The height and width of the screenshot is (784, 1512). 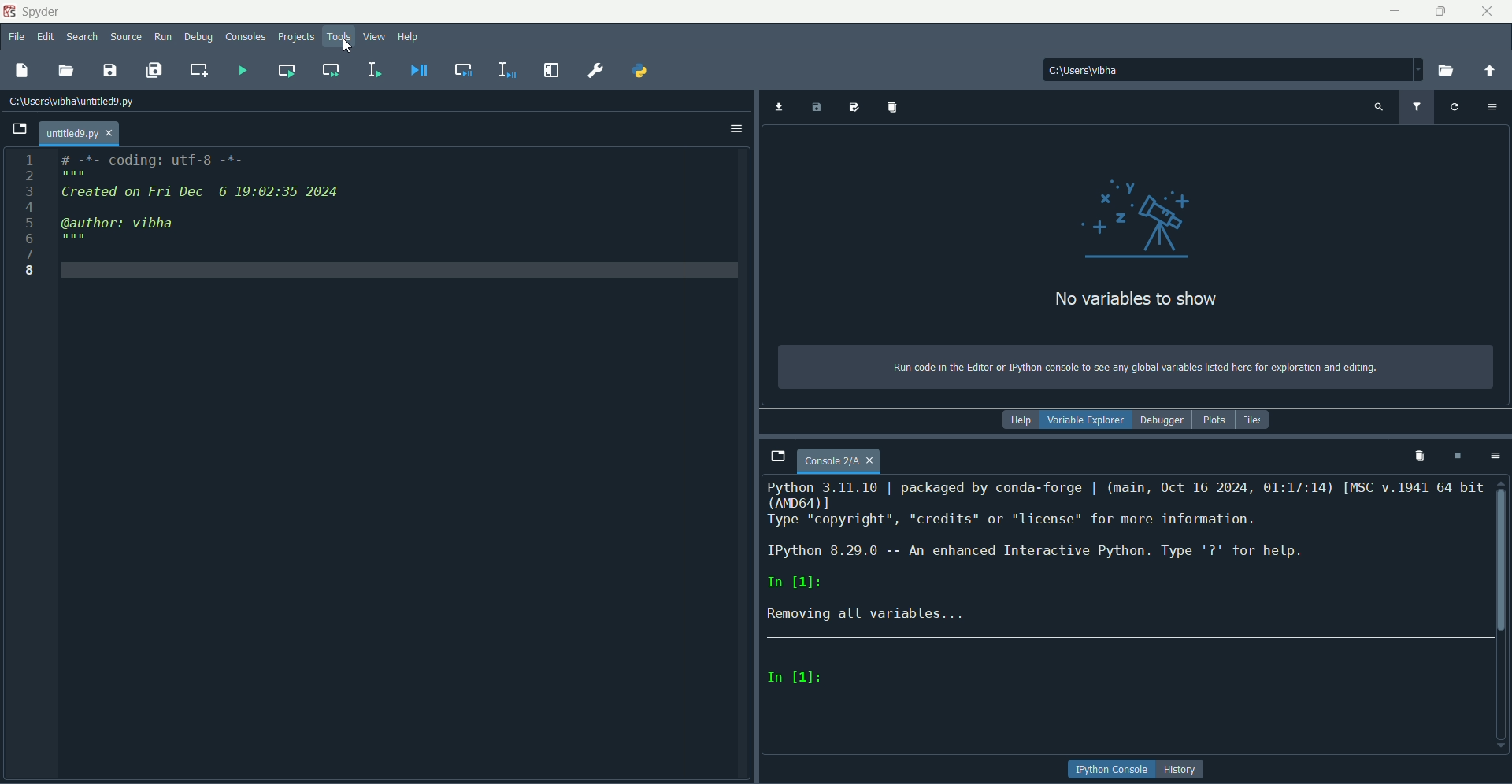 What do you see at coordinates (46, 38) in the screenshot?
I see `edit` at bounding box center [46, 38].